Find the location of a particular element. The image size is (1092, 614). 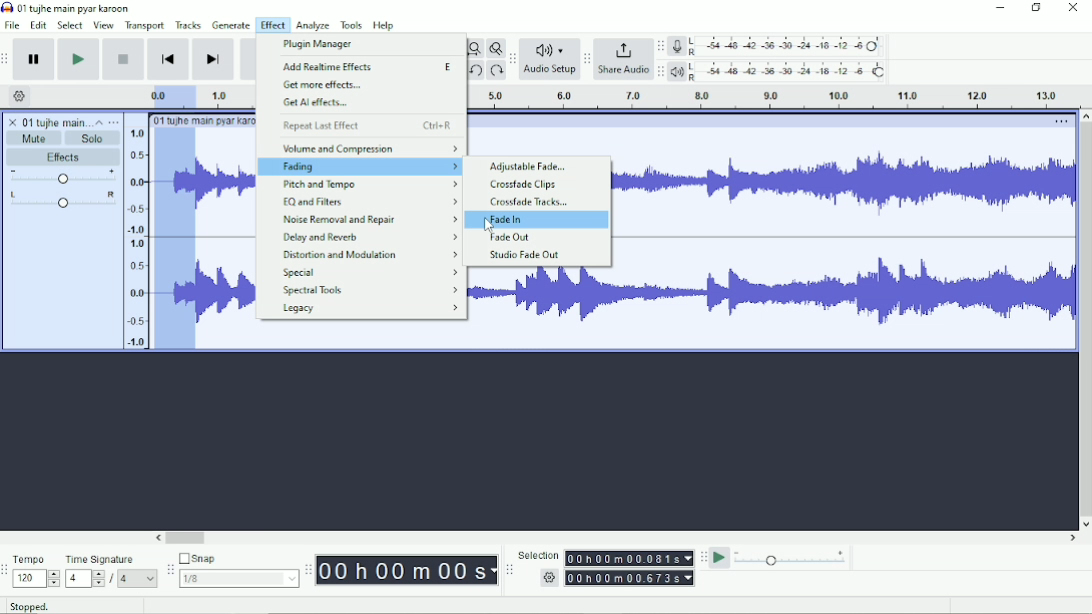

01 tujhe main pyar karoon is located at coordinates (205, 120).